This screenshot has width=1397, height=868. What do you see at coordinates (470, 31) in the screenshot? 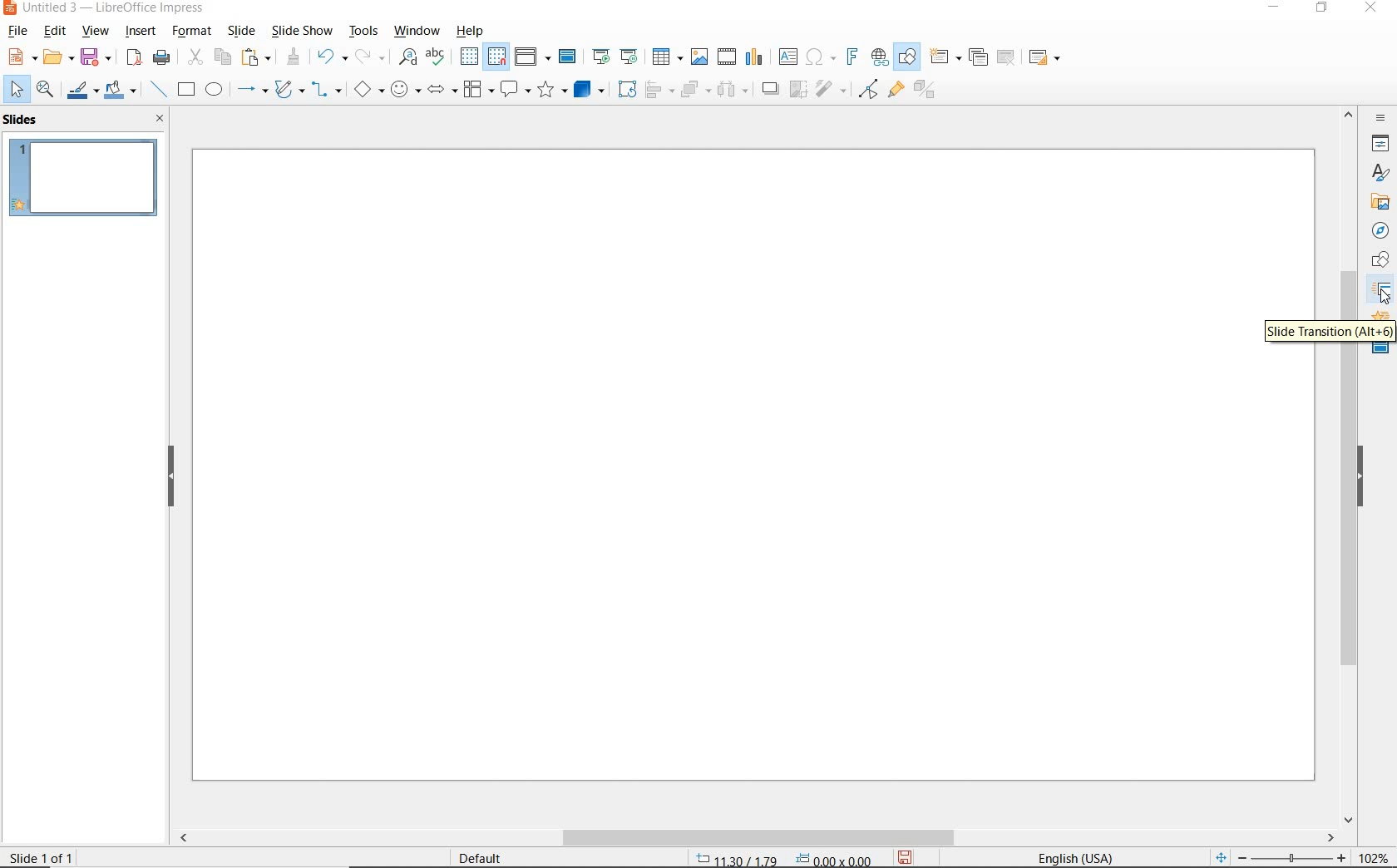
I see `HELP` at bounding box center [470, 31].